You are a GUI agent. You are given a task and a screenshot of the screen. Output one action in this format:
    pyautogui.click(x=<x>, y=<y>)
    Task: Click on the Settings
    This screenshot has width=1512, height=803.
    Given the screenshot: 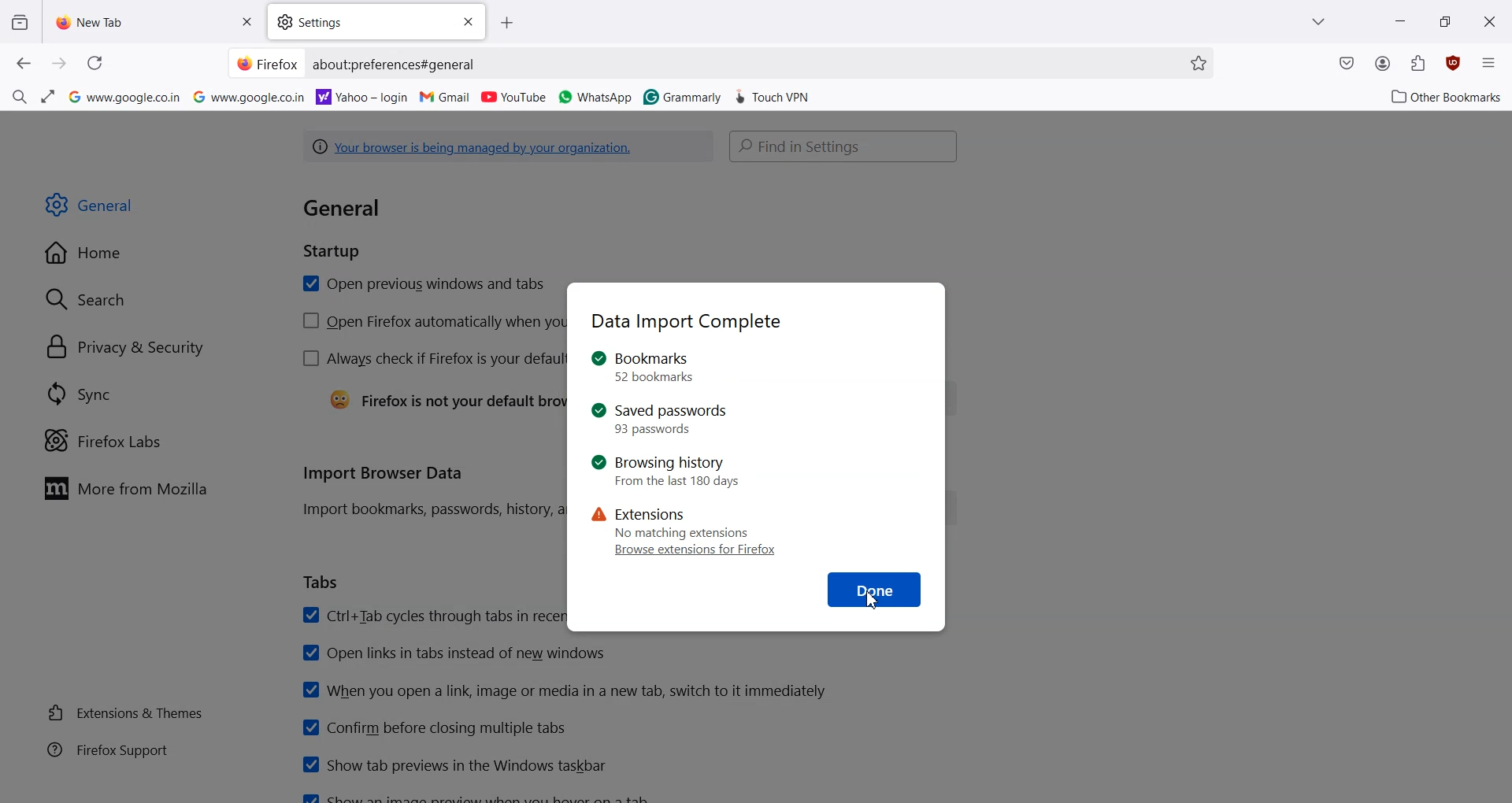 What is the action you would take?
    pyautogui.click(x=357, y=23)
    